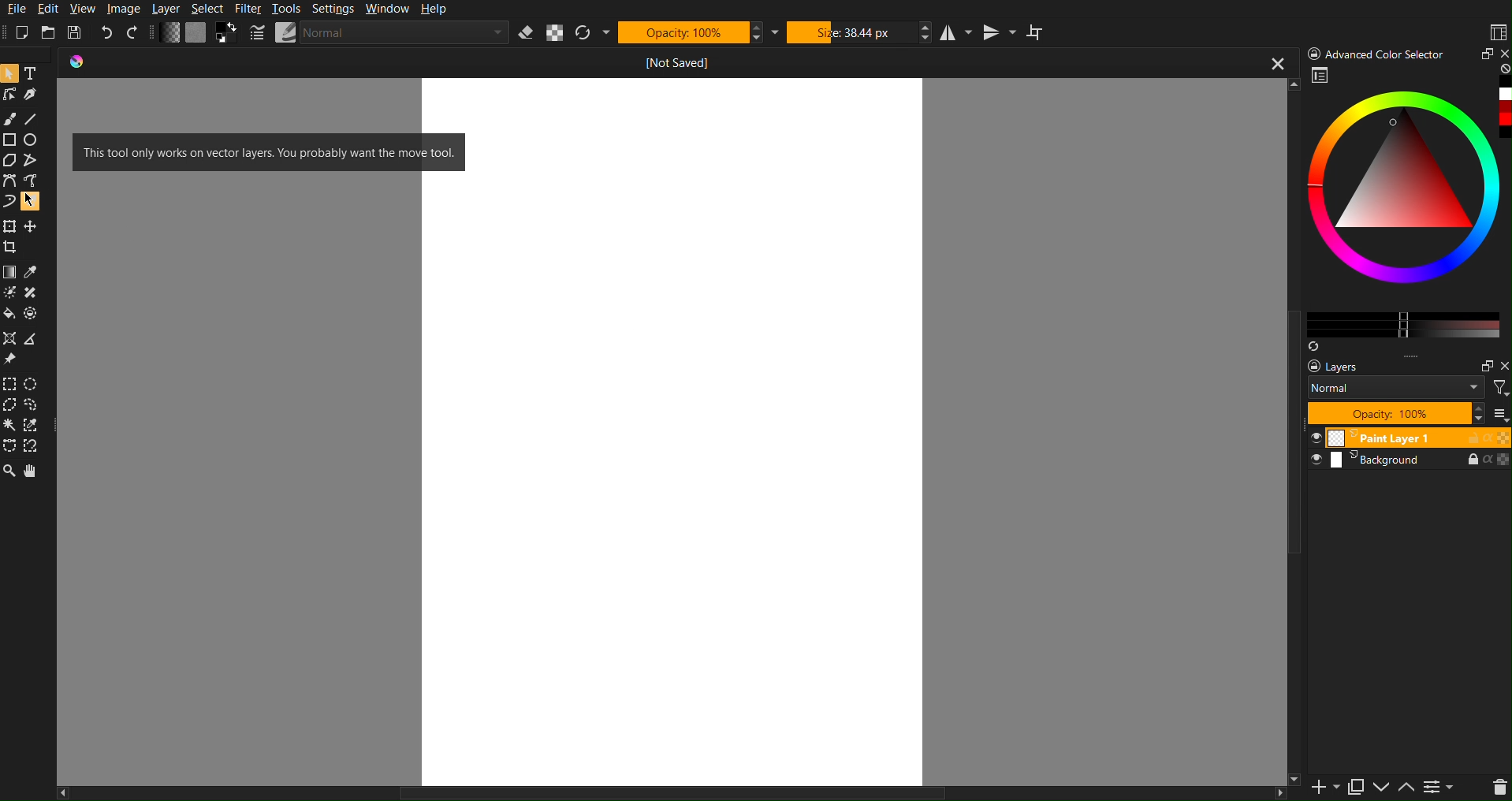  Describe the element at coordinates (133, 33) in the screenshot. I see `Redo` at that location.